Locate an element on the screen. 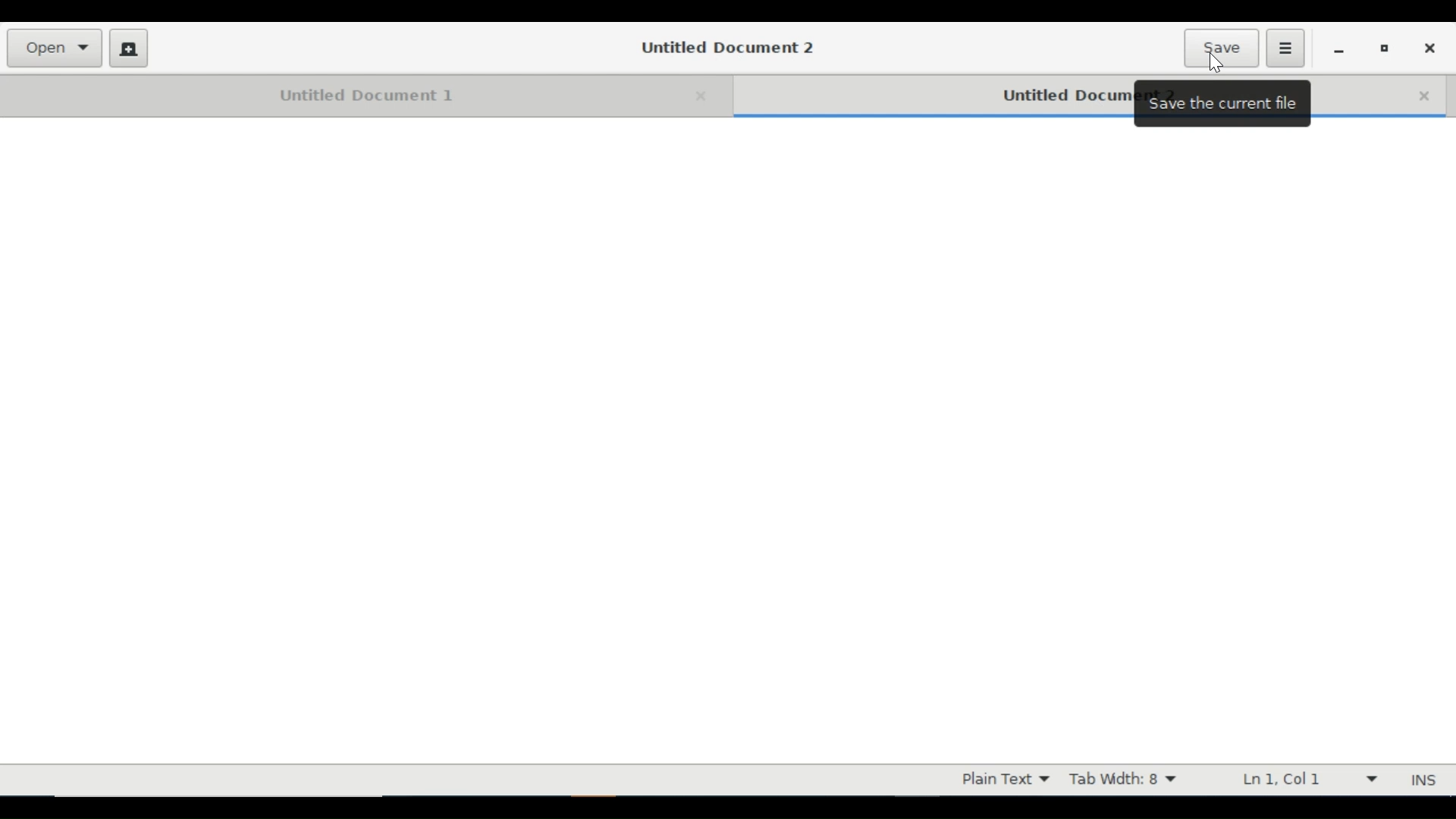 Image resolution: width=1456 pixels, height=819 pixels. Untitled Document 2 is located at coordinates (731, 47).